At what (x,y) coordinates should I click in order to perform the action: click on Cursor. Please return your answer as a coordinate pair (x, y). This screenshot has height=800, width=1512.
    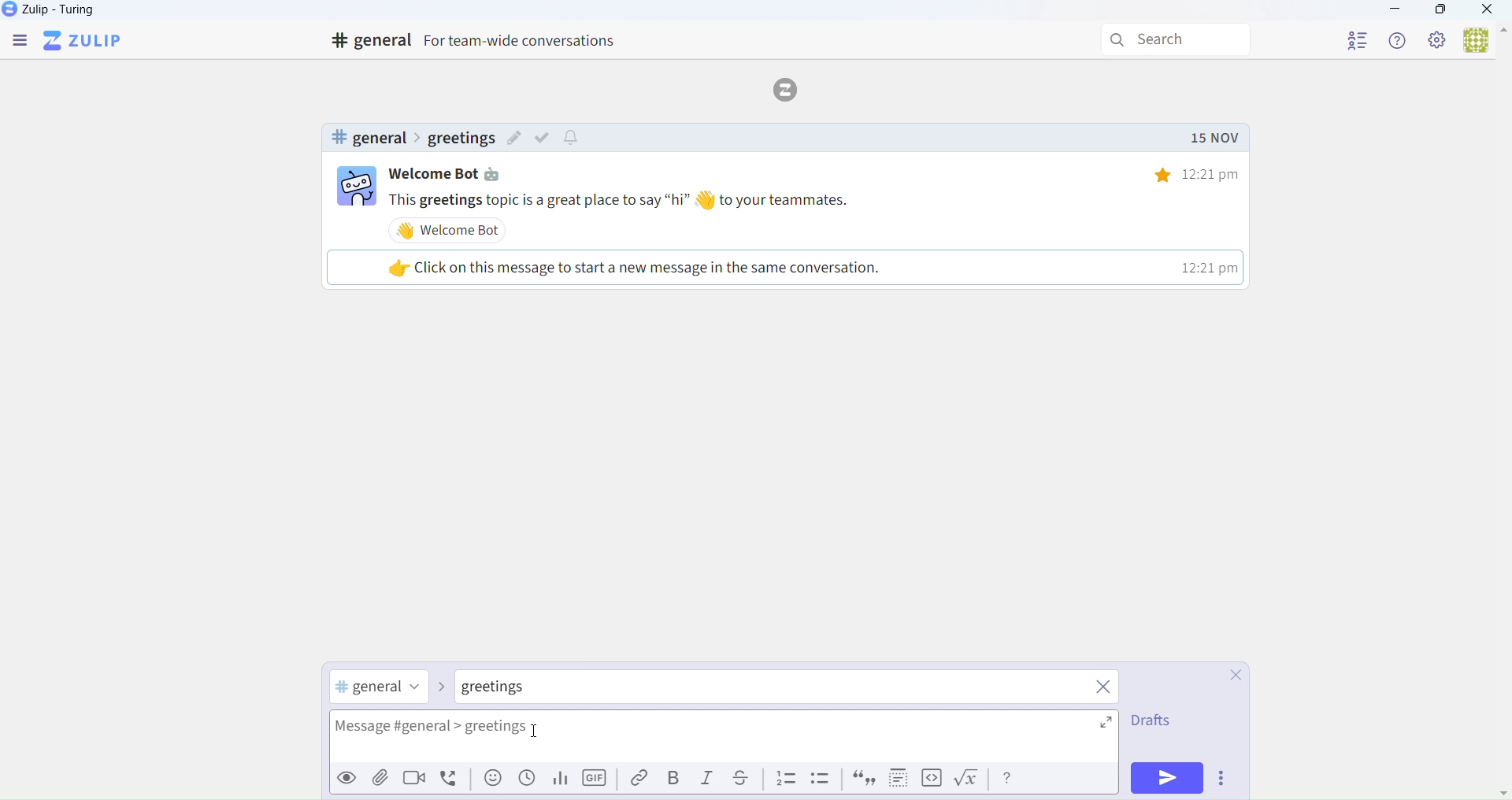
    Looking at the image, I should click on (540, 734).